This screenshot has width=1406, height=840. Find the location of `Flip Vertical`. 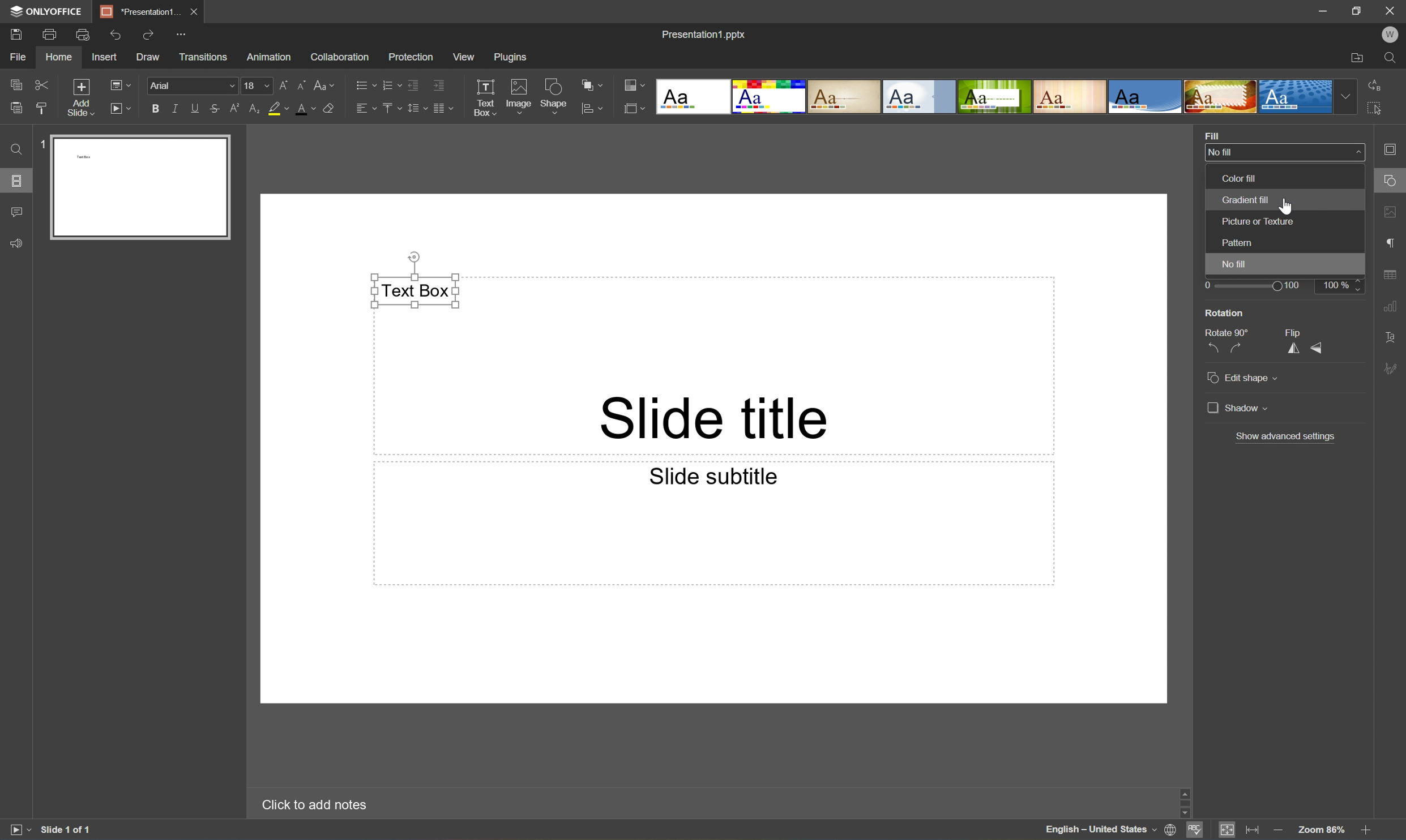

Flip Vertical is located at coordinates (1317, 350).